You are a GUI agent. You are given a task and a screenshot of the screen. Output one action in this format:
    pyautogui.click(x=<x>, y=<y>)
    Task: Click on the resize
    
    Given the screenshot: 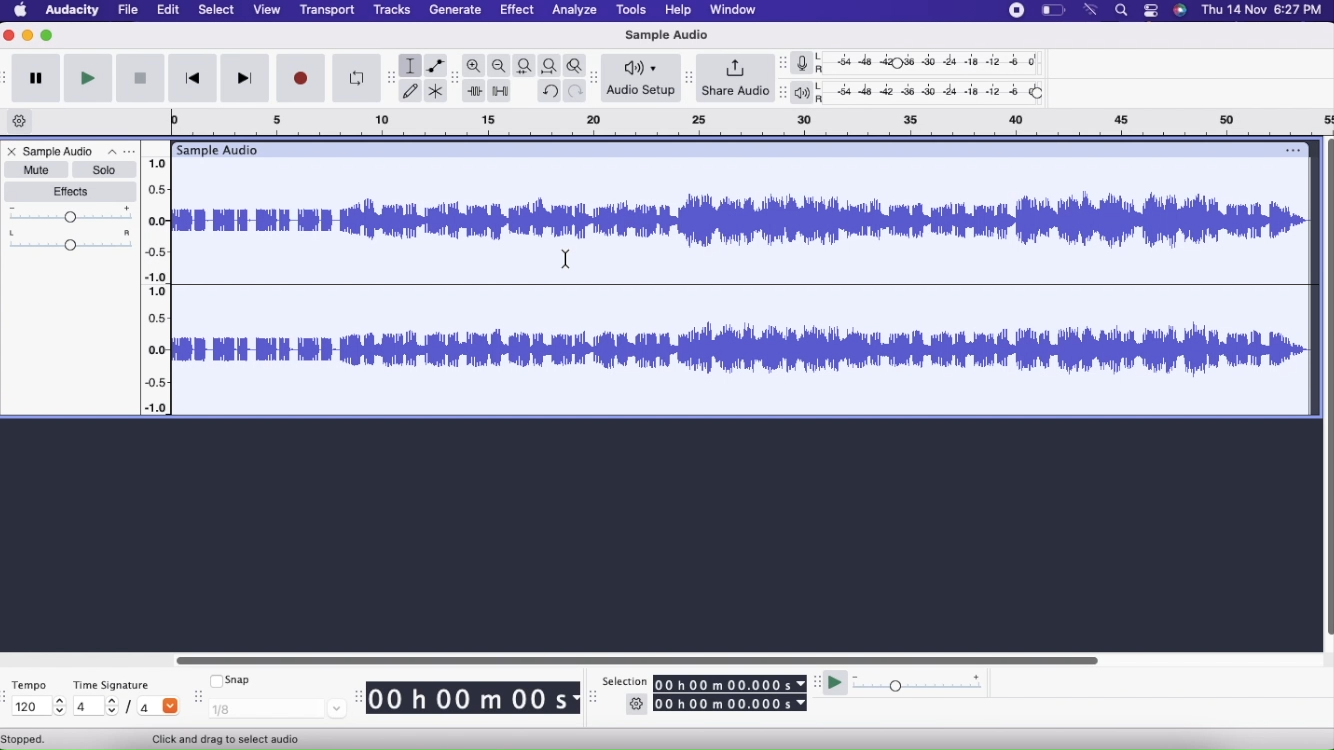 What is the action you would take?
    pyautogui.click(x=781, y=91)
    